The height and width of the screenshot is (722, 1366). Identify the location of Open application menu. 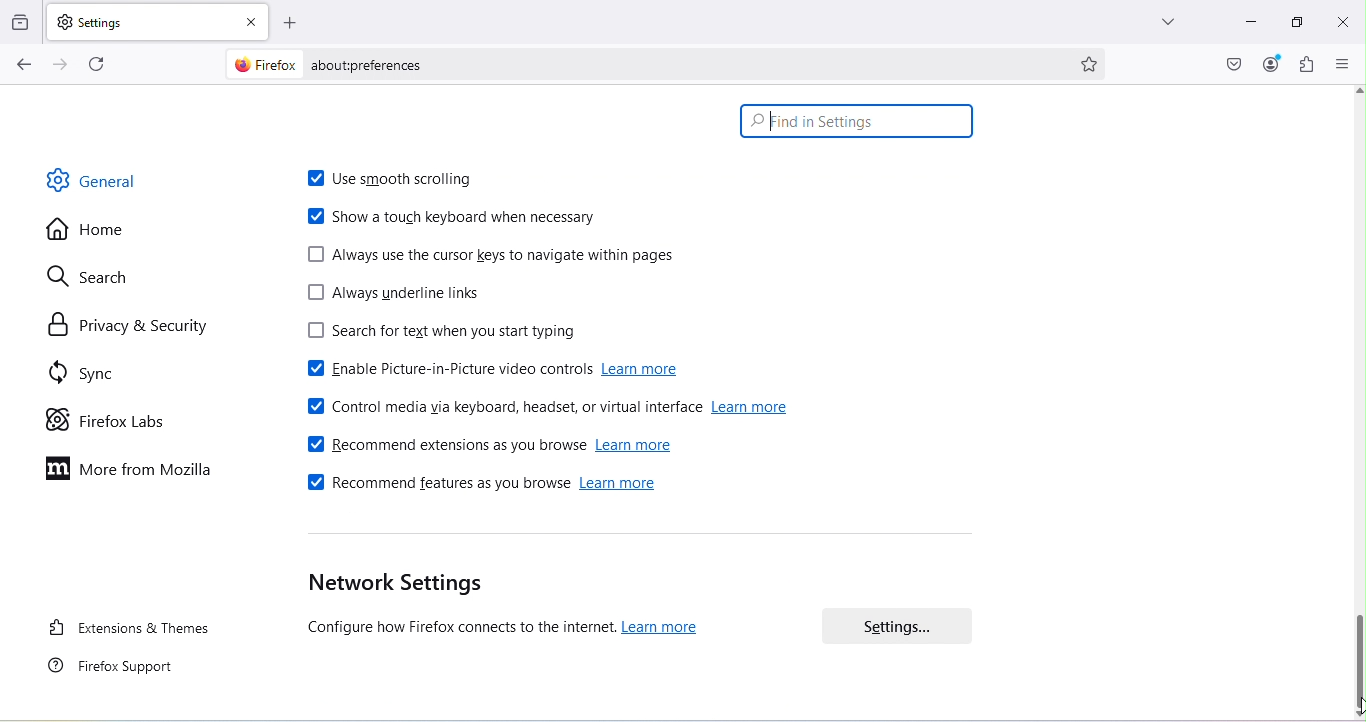
(1340, 64).